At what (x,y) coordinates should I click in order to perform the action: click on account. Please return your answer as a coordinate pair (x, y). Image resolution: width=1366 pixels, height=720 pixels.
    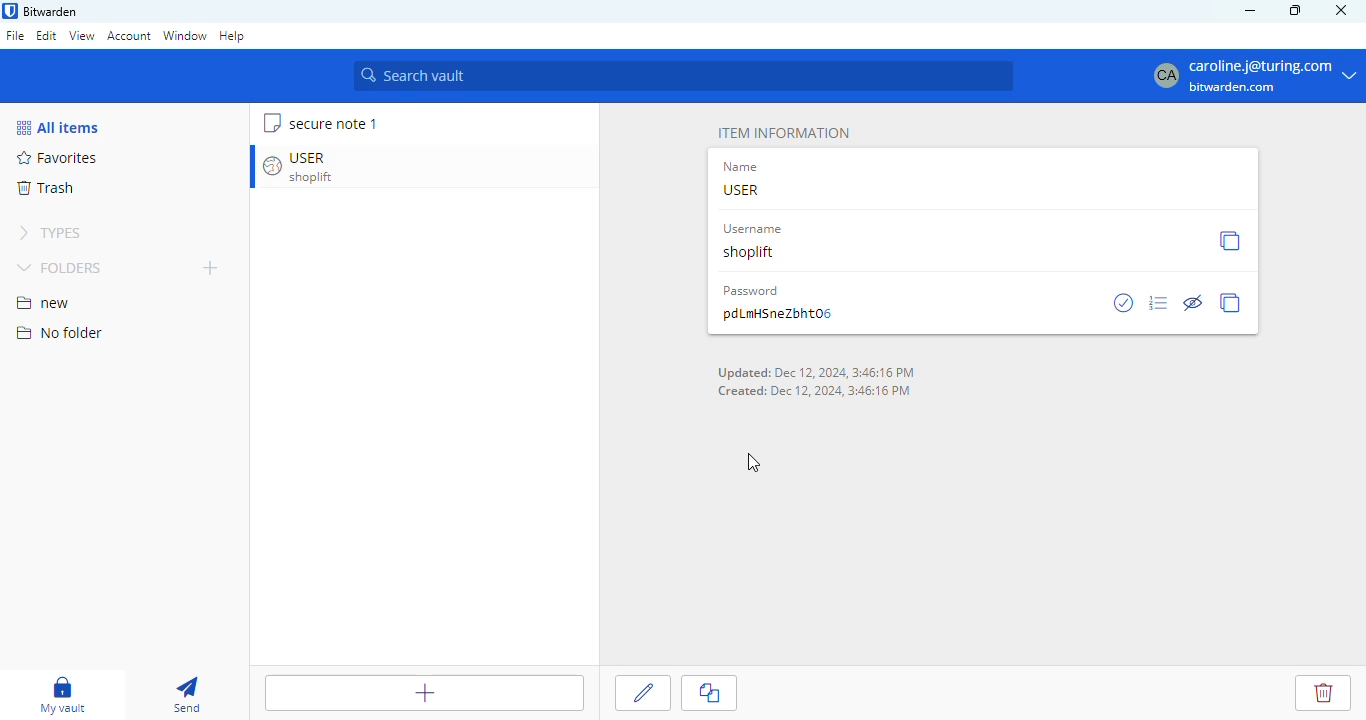
    Looking at the image, I should click on (129, 35).